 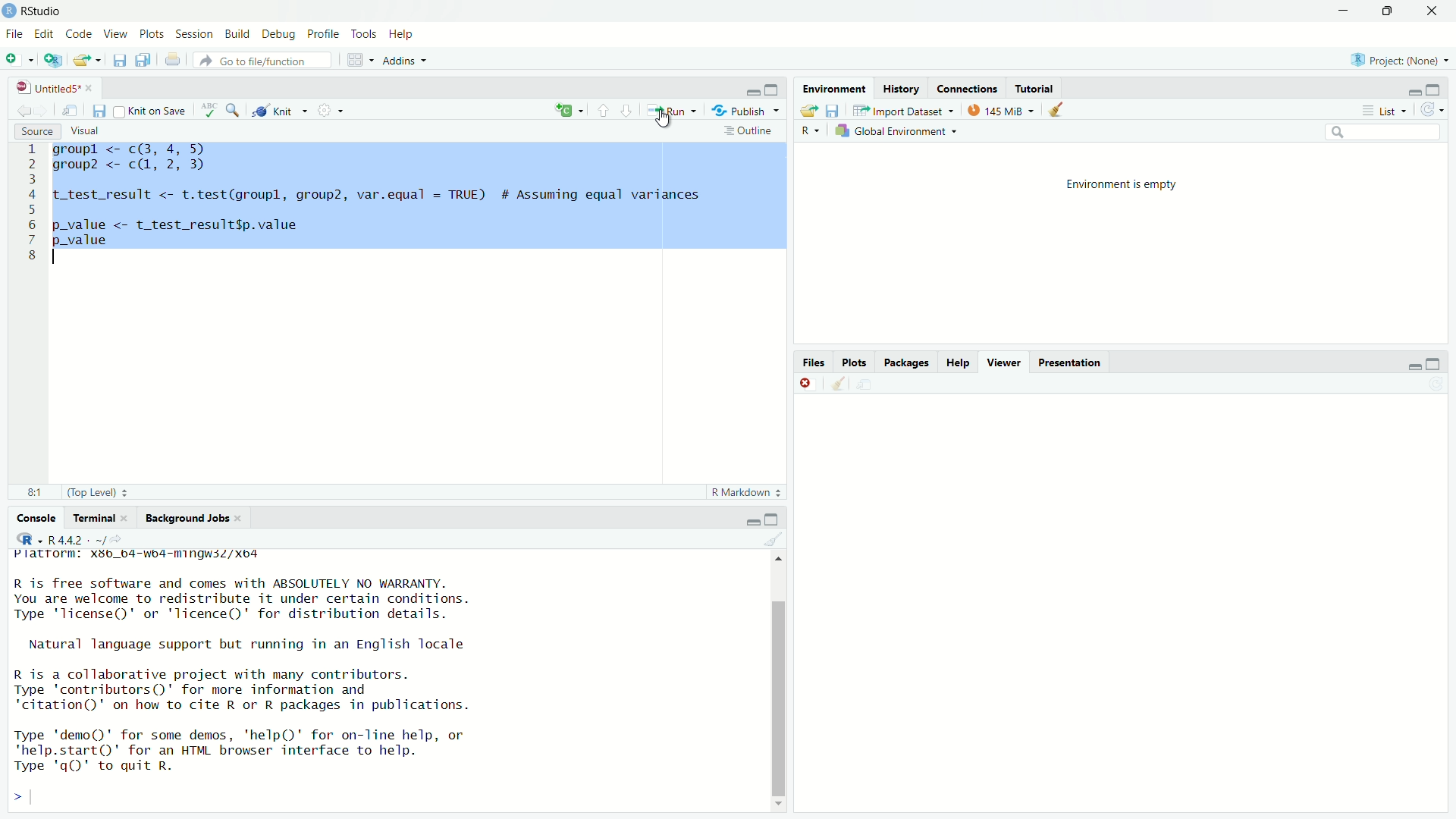 I want to click on Go to file/function, so click(x=265, y=61).